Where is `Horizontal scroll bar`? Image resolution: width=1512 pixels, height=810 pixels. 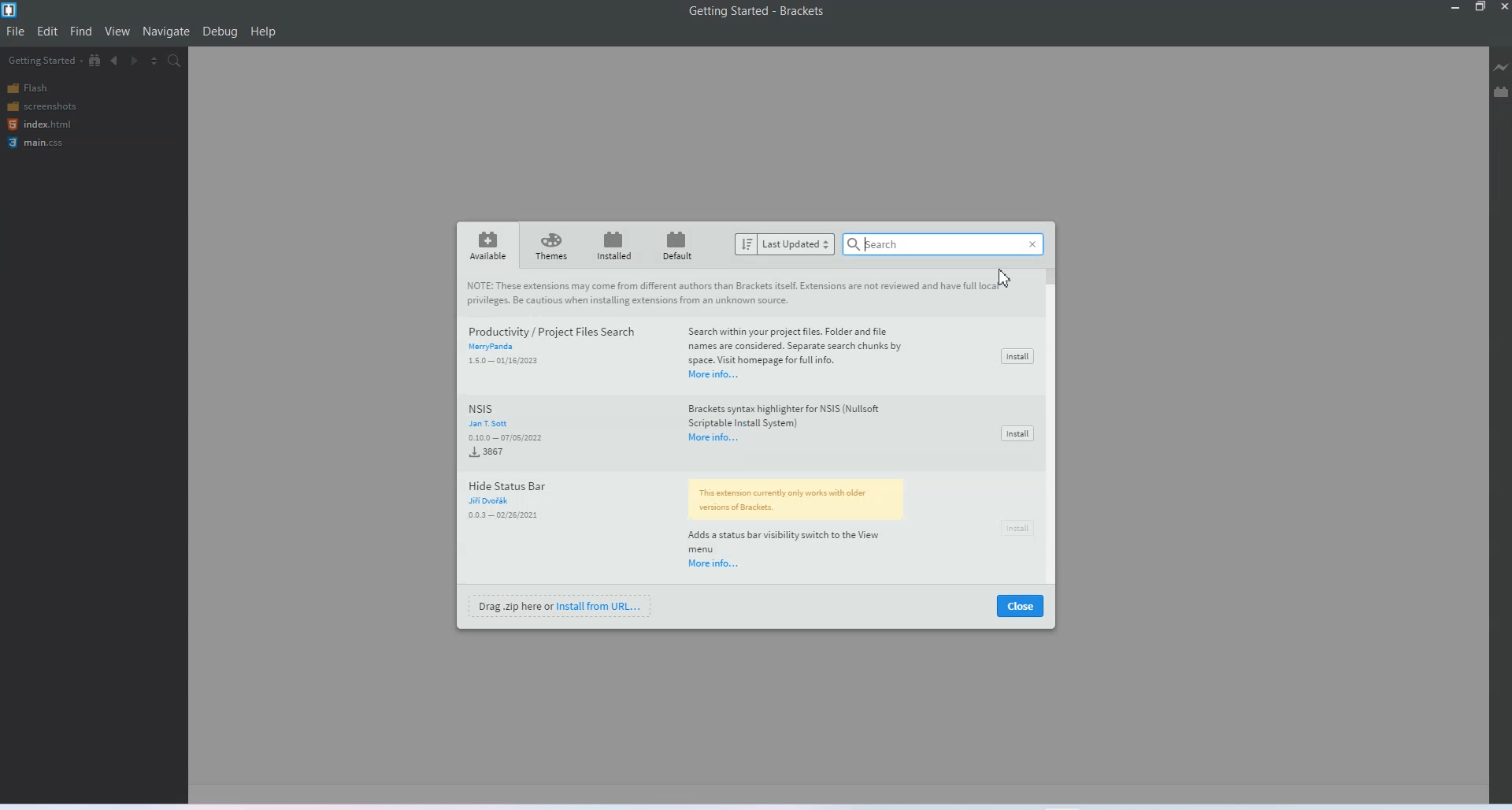 Horizontal scroll bar is located at coordinates (1054, 424).